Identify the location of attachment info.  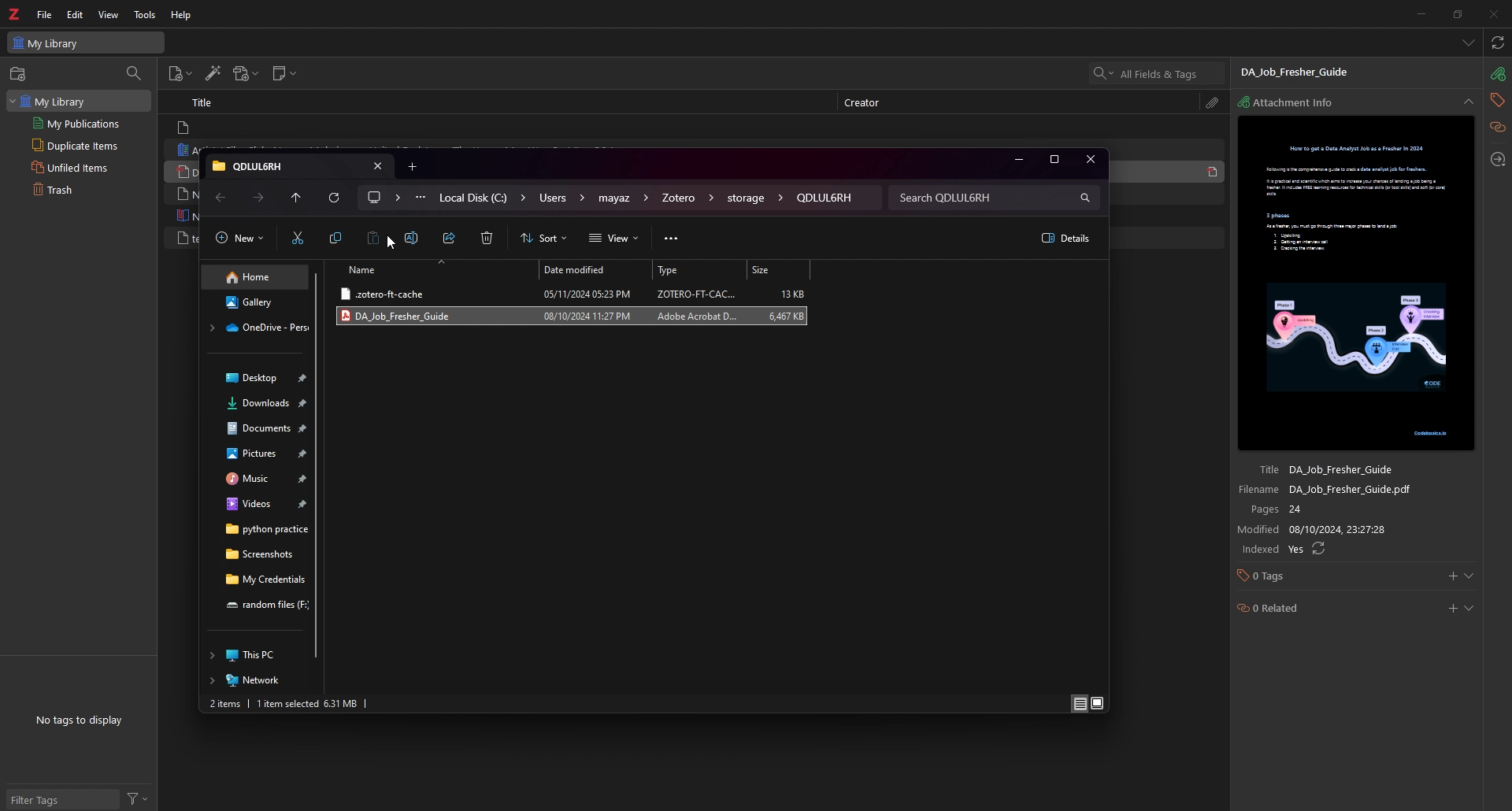
(1296, 103).